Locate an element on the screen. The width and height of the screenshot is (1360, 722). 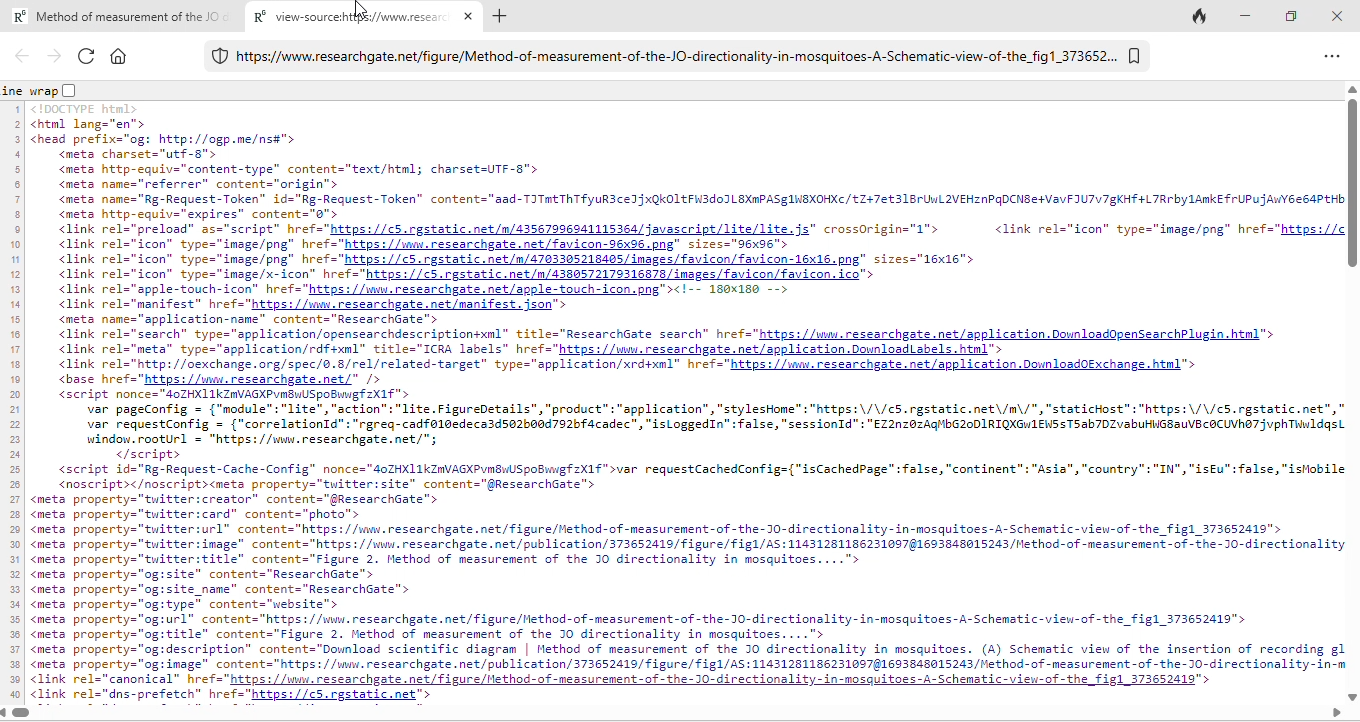
line numbers is located at coordinates (13, 402).